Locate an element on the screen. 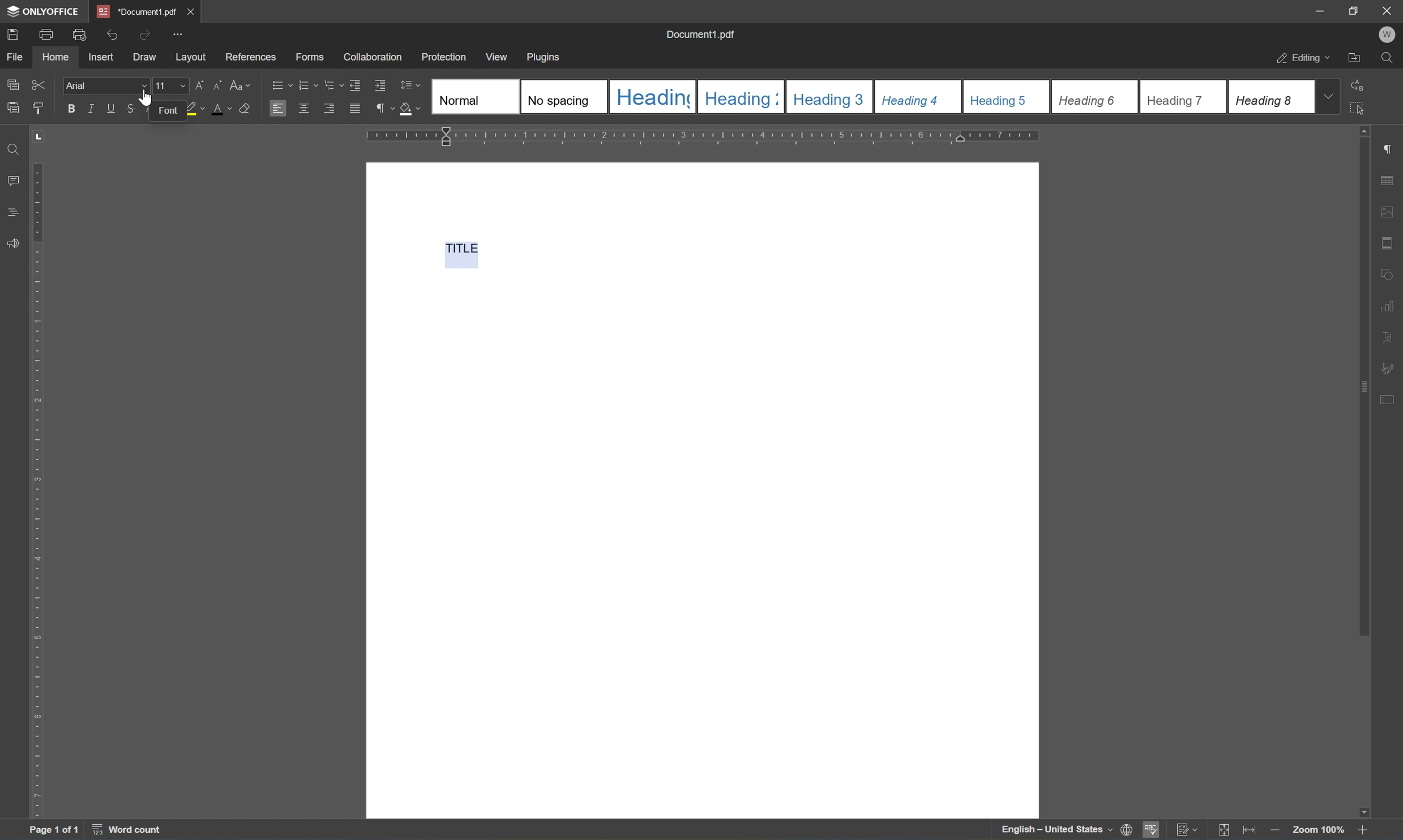 Image resolution: width=1403 pixels, height=840 pixels. Increase indent is located at coordinates (380, 84).